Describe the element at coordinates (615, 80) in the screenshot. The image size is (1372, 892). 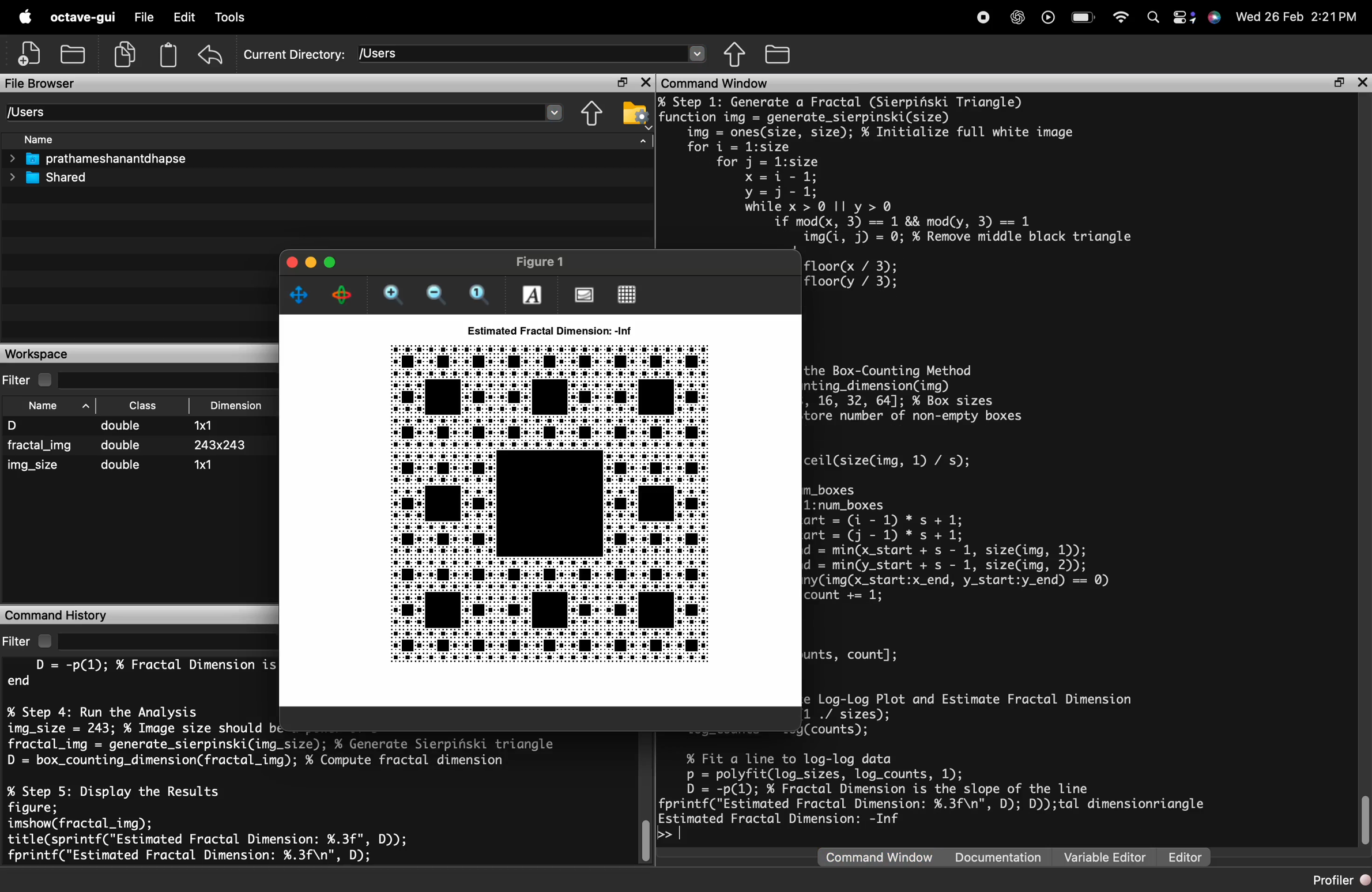
I see `maximise` at that location.